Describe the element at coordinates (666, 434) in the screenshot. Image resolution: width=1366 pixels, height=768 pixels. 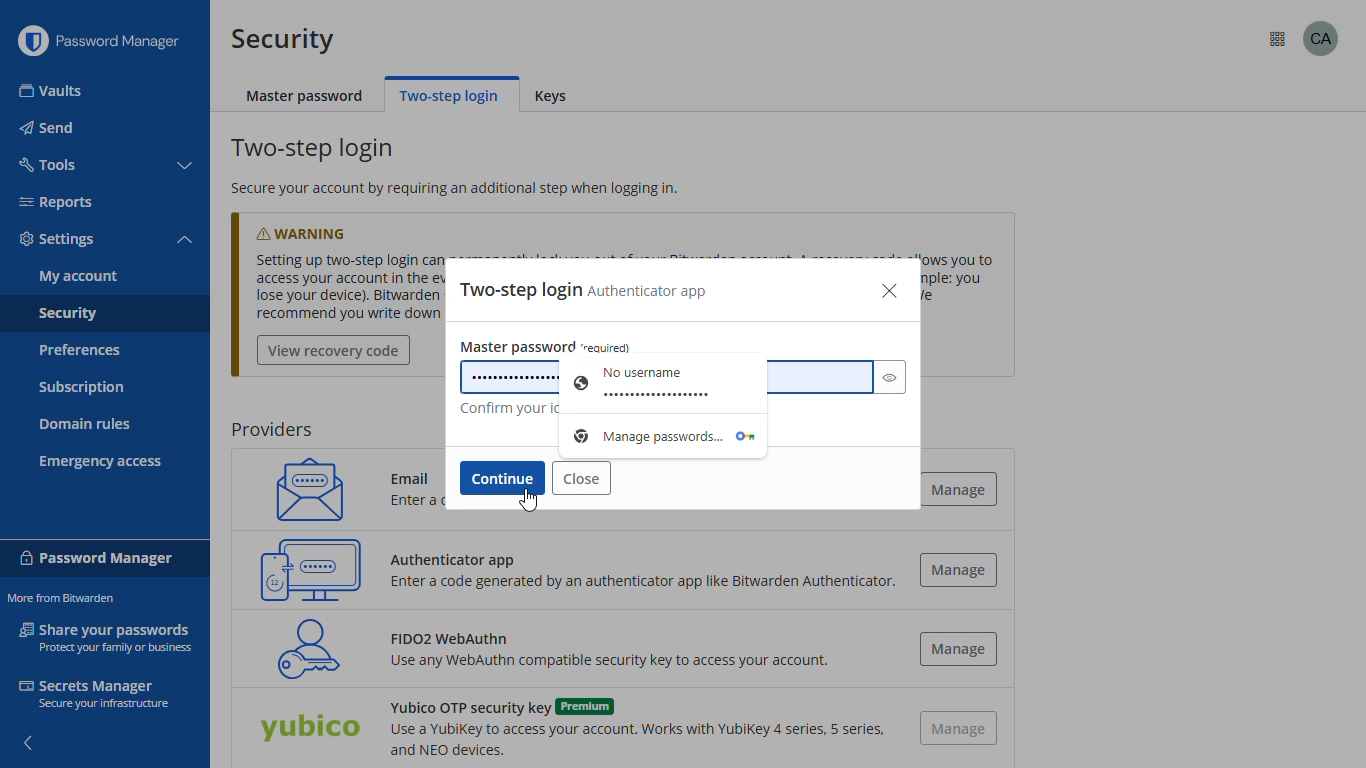
I see `password manager` at that location.